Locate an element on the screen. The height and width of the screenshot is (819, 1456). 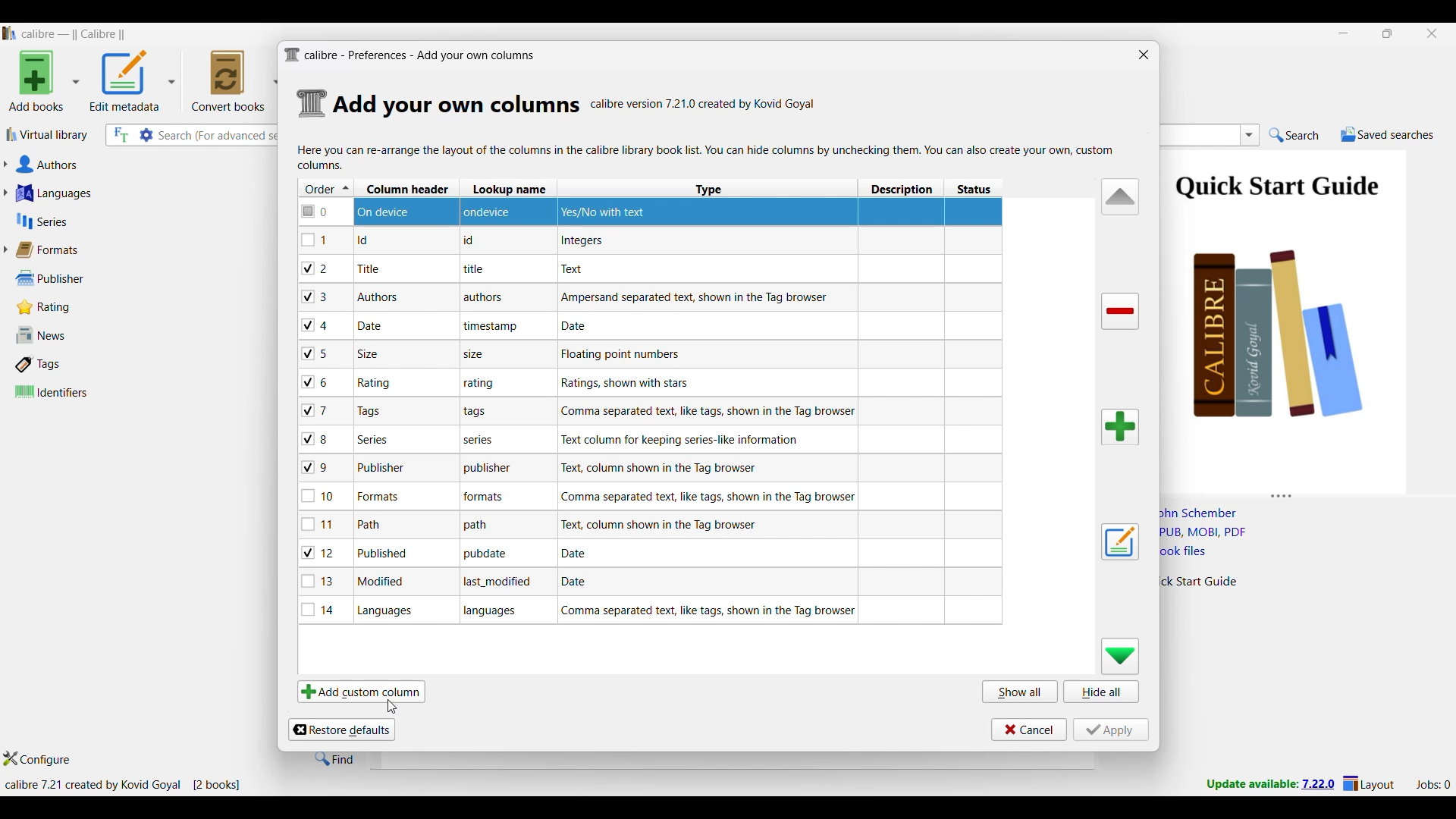
Options to edit metadata is located at coordinates (133, 80).